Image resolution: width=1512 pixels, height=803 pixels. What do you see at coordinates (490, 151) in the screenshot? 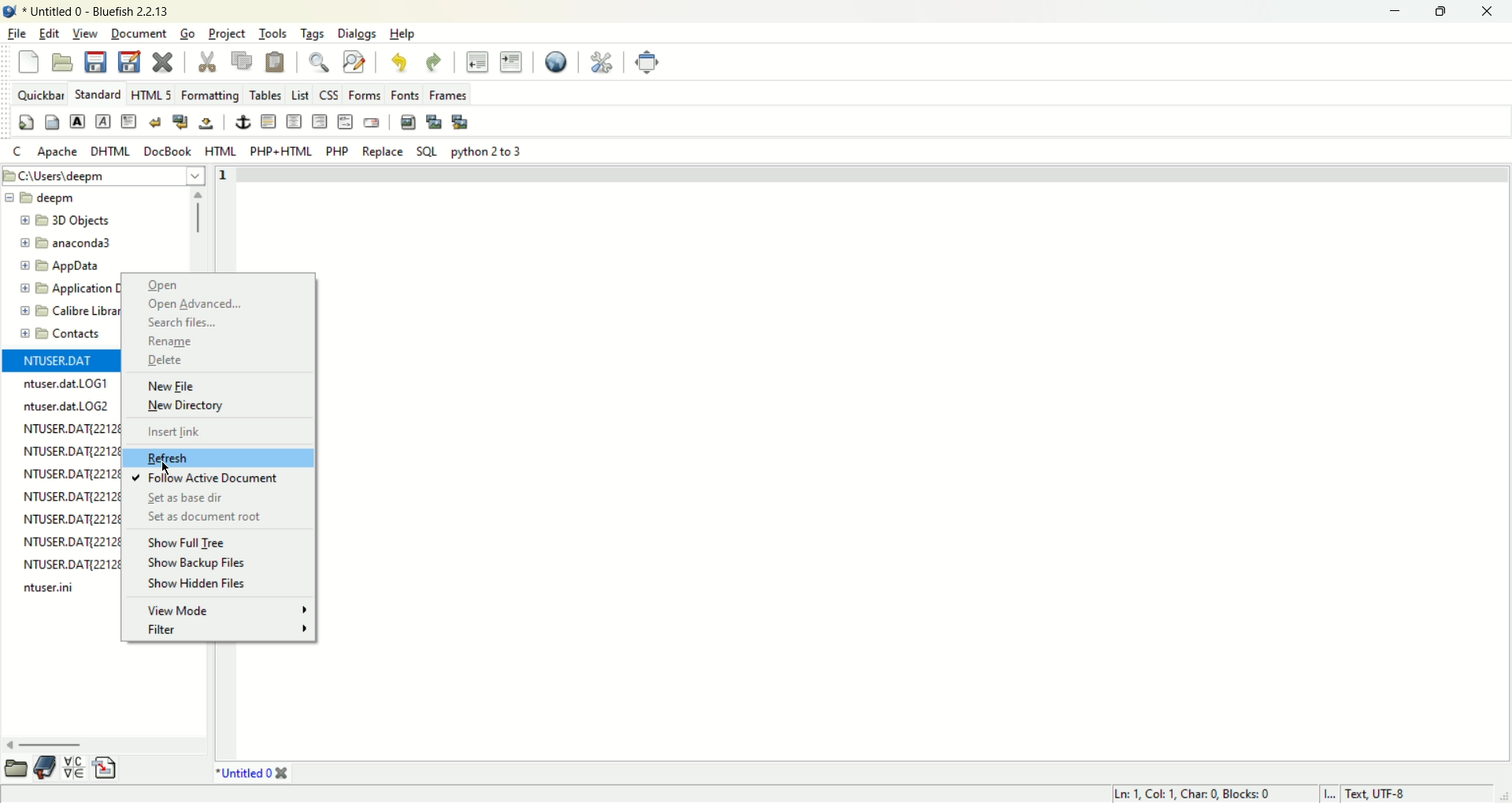
I see `Python 2 to 3` at bounding box center [490, 151].